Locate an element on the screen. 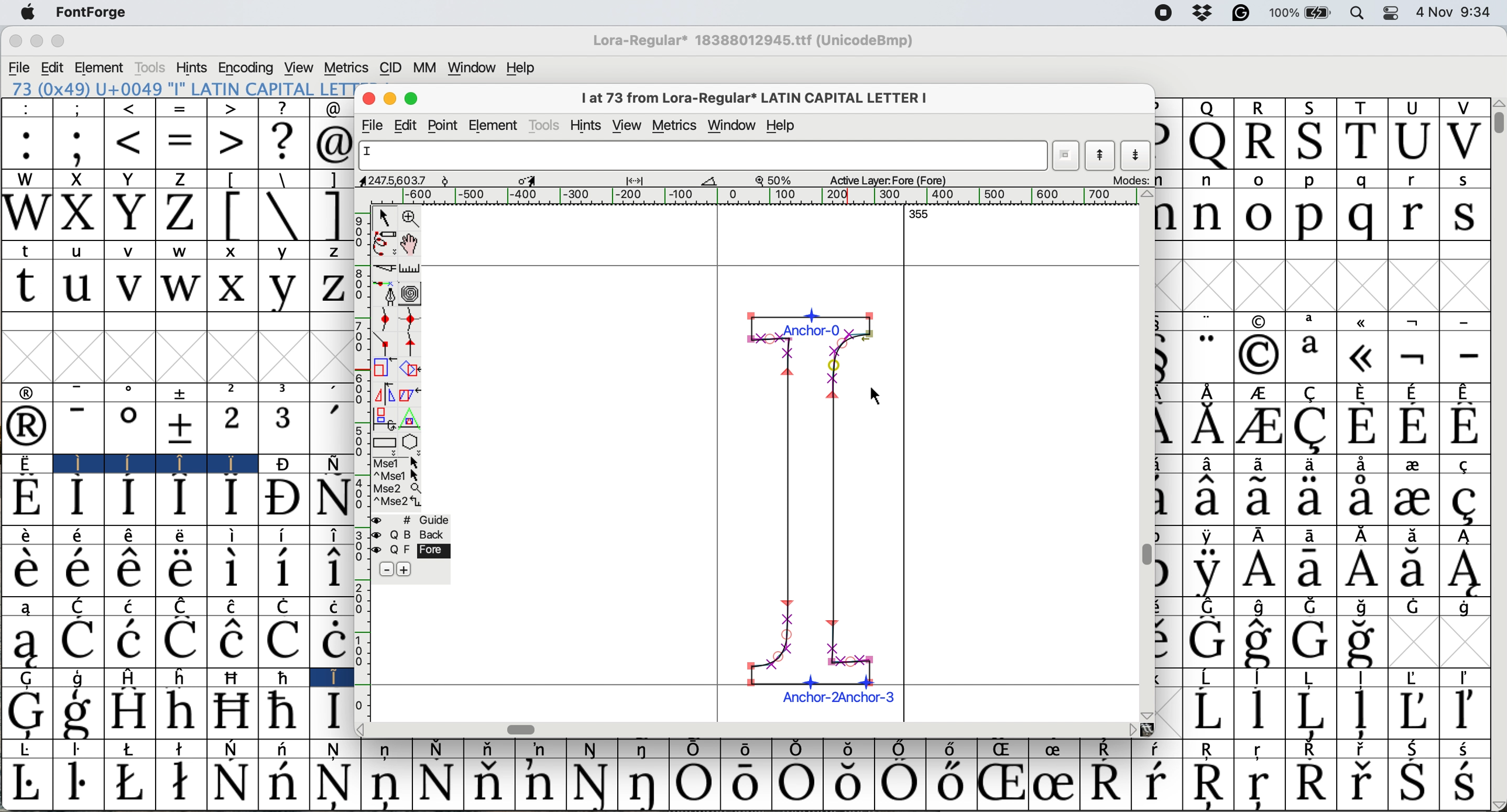  [ is located at coordinates (232, 215).